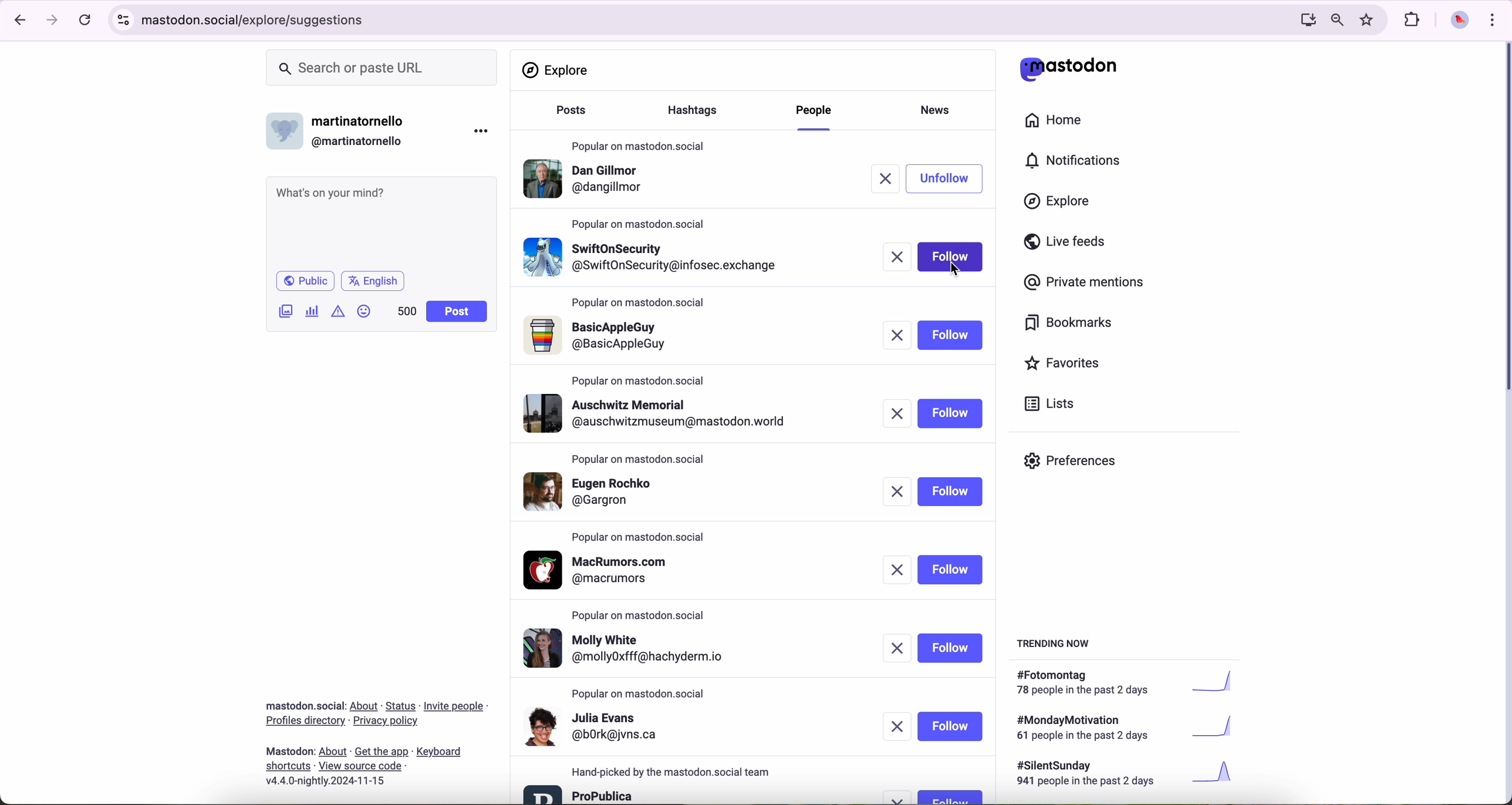 This screenshot has height=805, width=1512. I want to click on remove, so click(900, 797).